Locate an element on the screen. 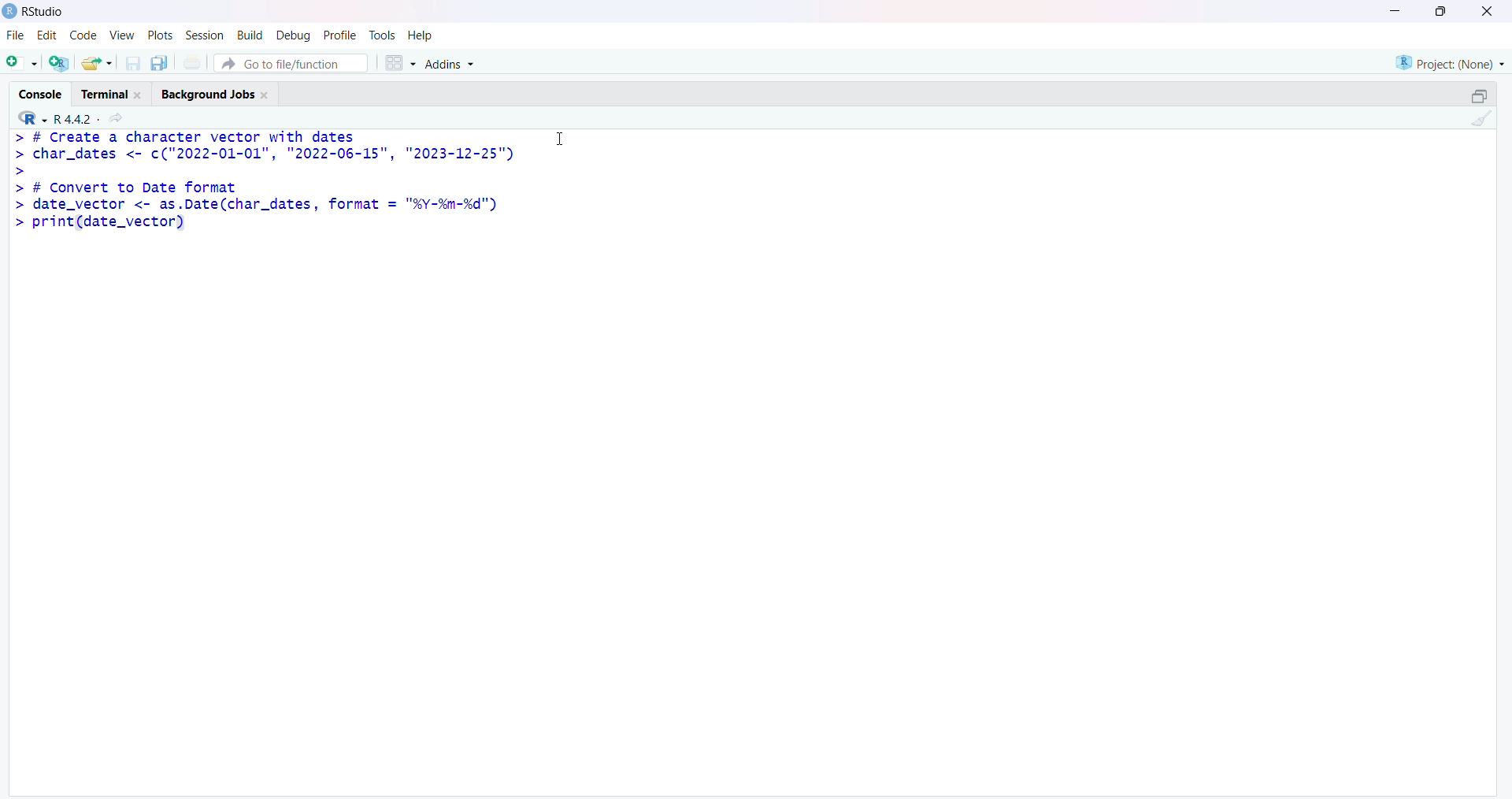 Image resolution: width=1512 pixels, height=799 pixels. View the current working directory is located at coordinates (120, 117).